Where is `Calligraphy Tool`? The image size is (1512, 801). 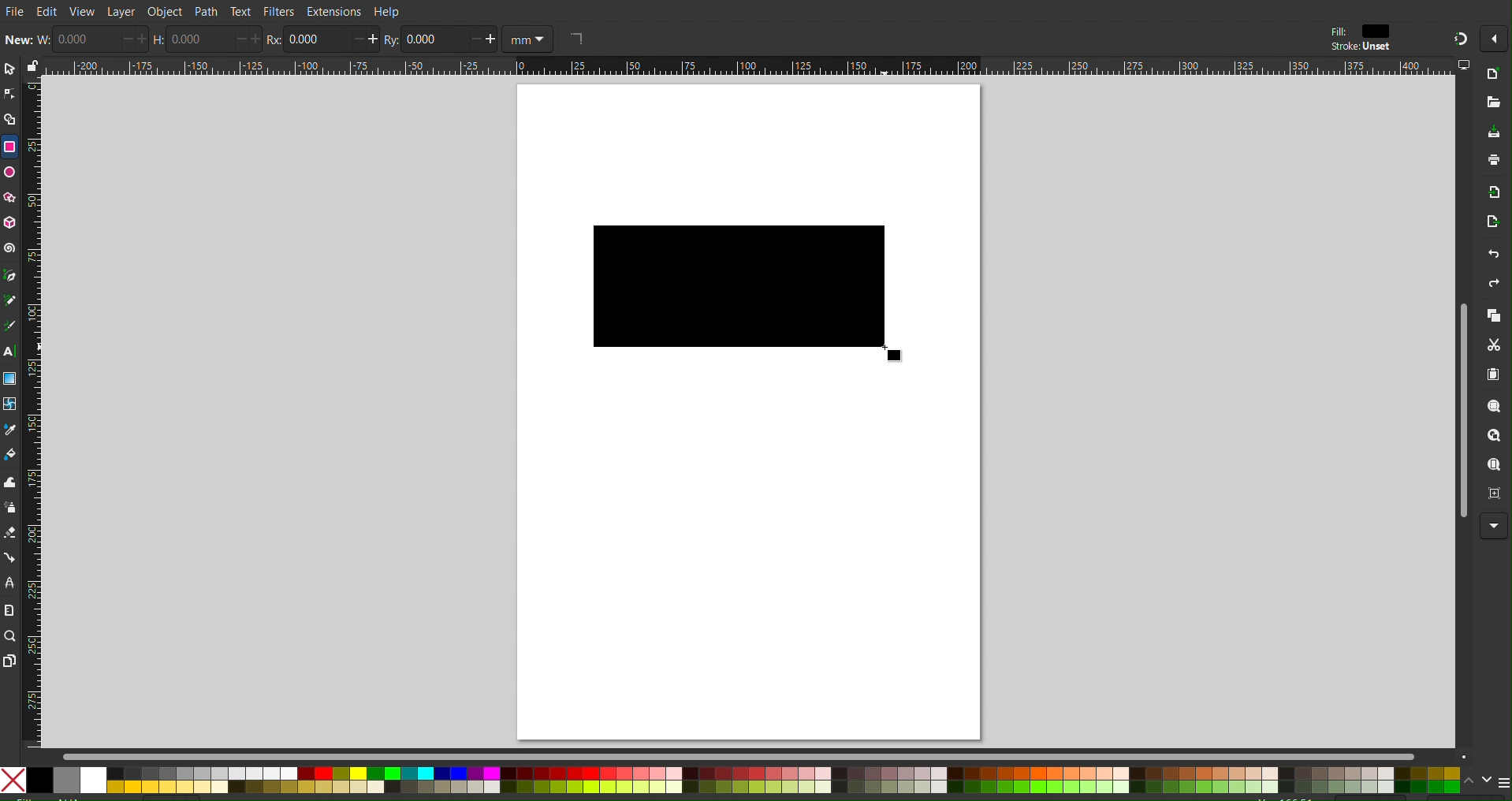 Calligraphy Tool is located at coordinates (9, 326).